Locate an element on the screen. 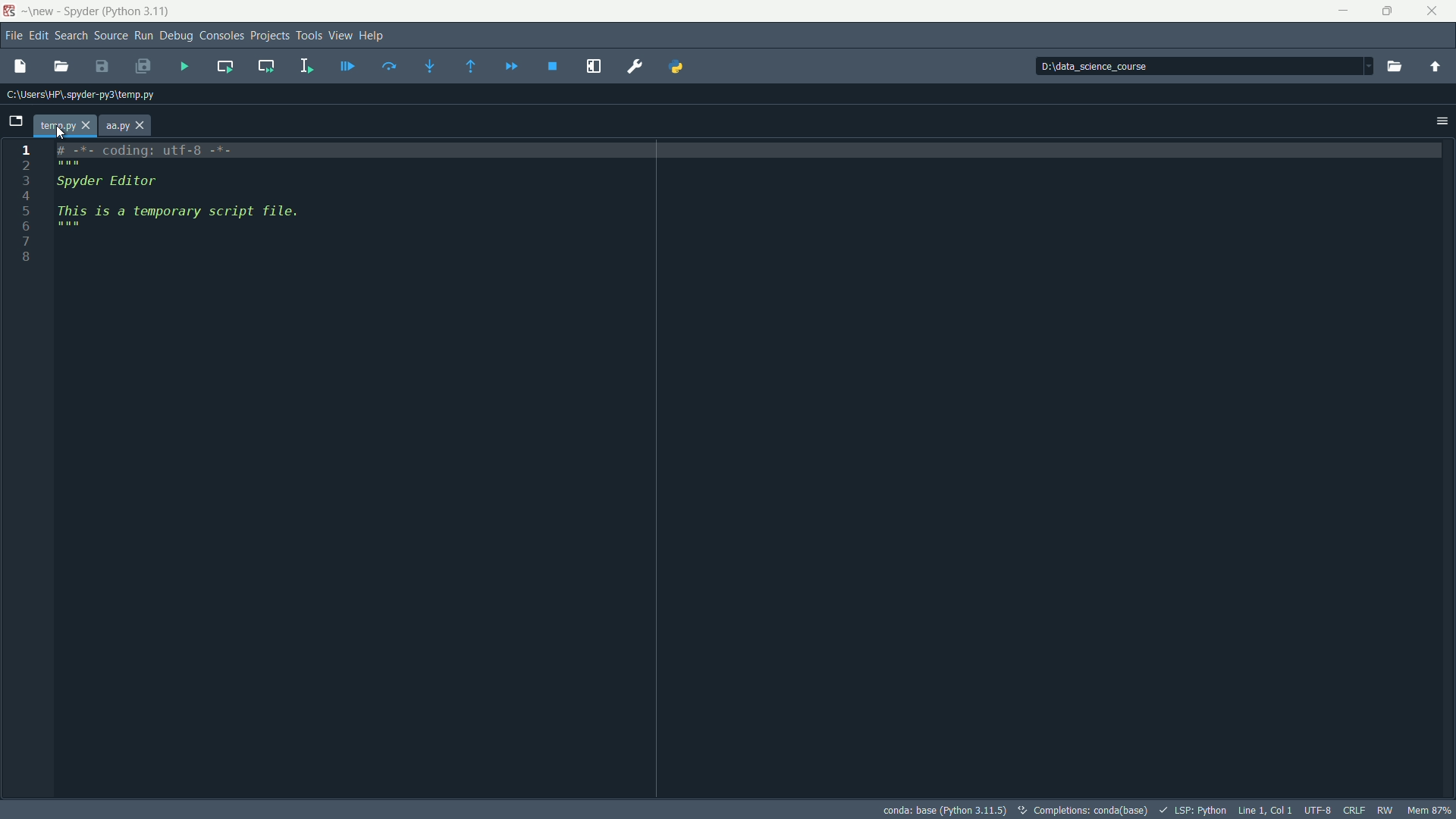 The height and width of the screenshot is (819, 1456). minimize is located at coordinates (1339, 9).